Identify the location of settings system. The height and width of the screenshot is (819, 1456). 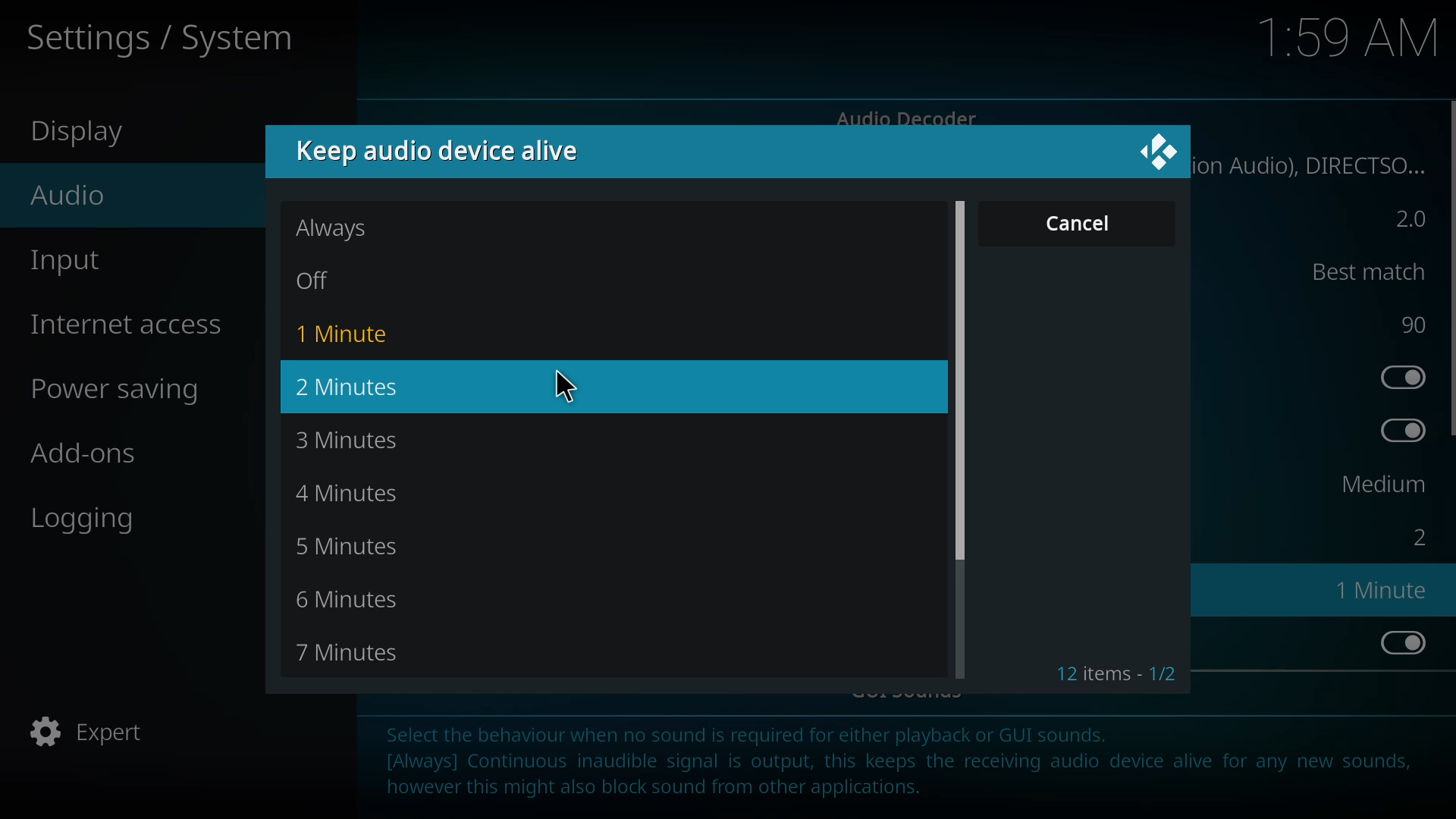
(171, 36).